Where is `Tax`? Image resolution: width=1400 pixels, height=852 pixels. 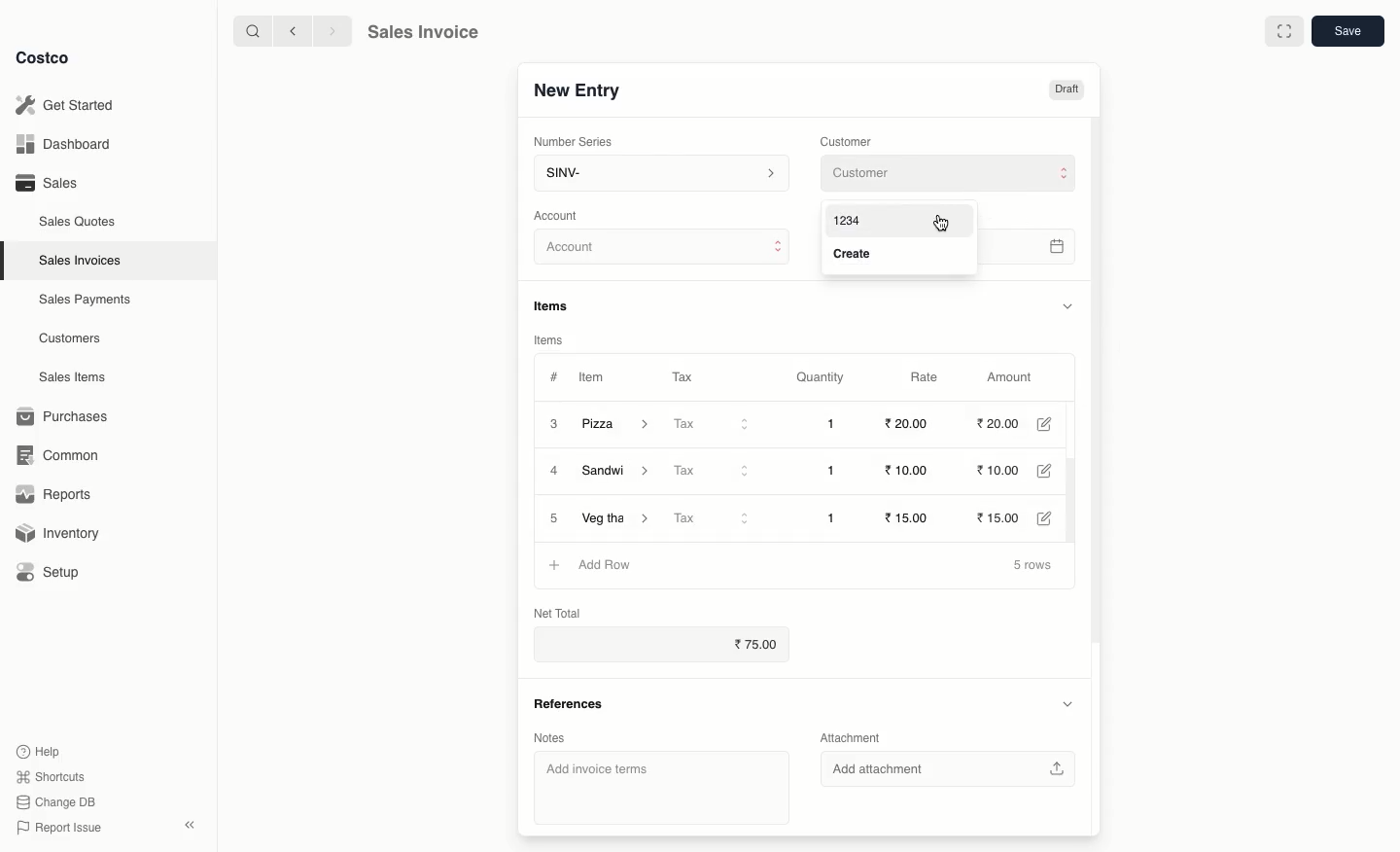
Tax is located at coordinates (714, 425).